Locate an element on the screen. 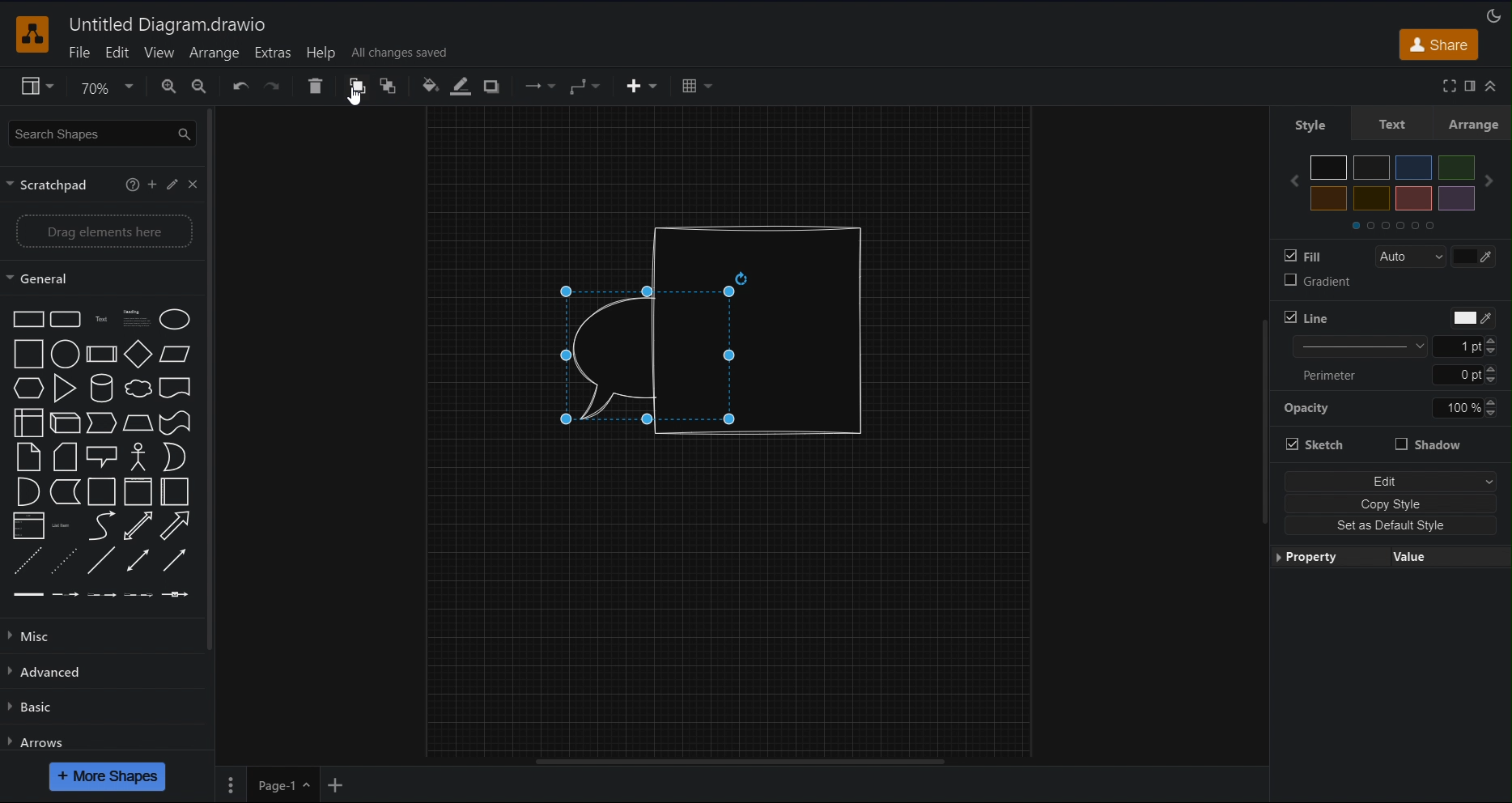 The height and width of the screenshot is (803, 1512). Color picker is located at coordinates (1473, 257).